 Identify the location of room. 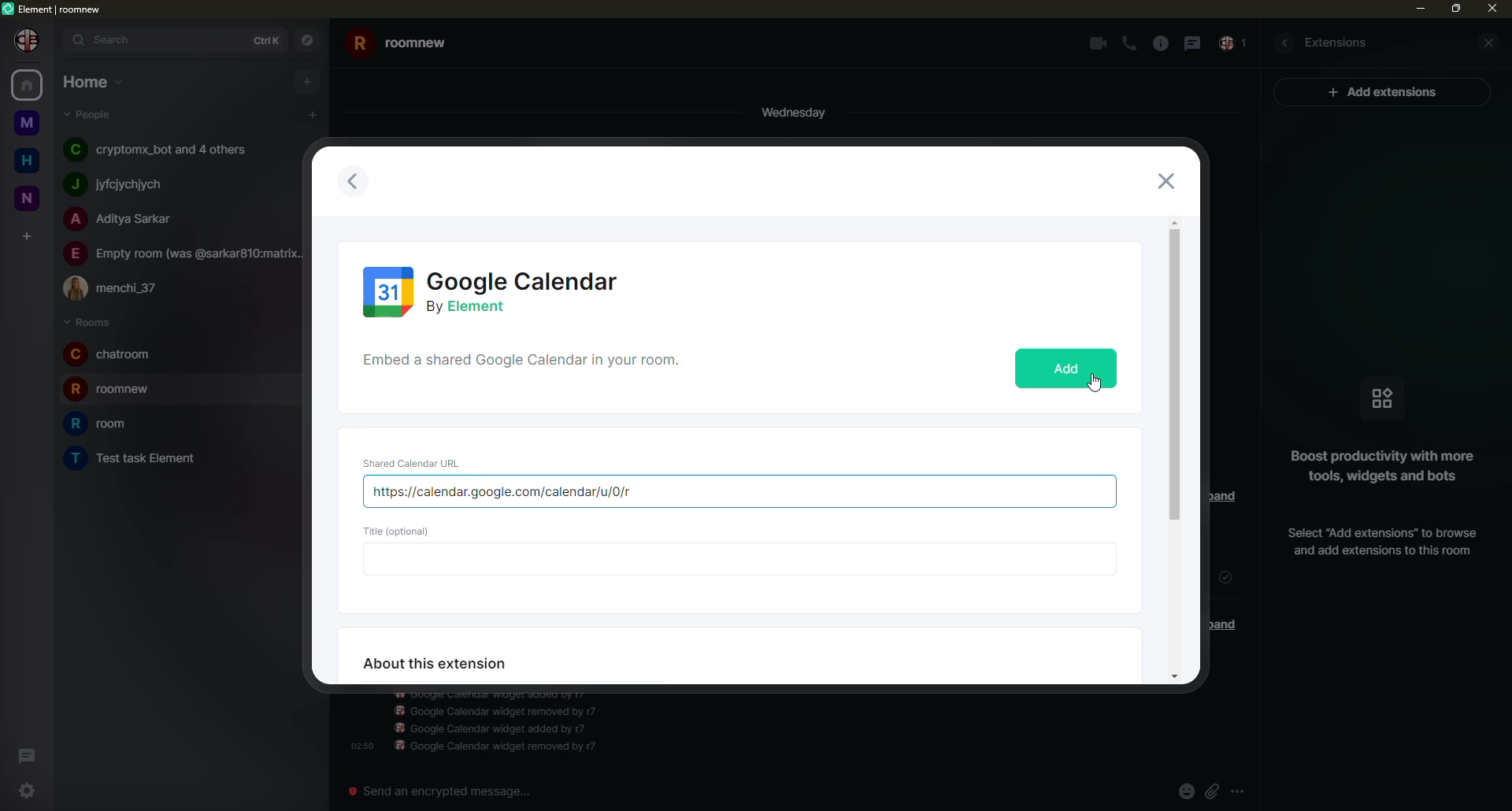
(99, 424).